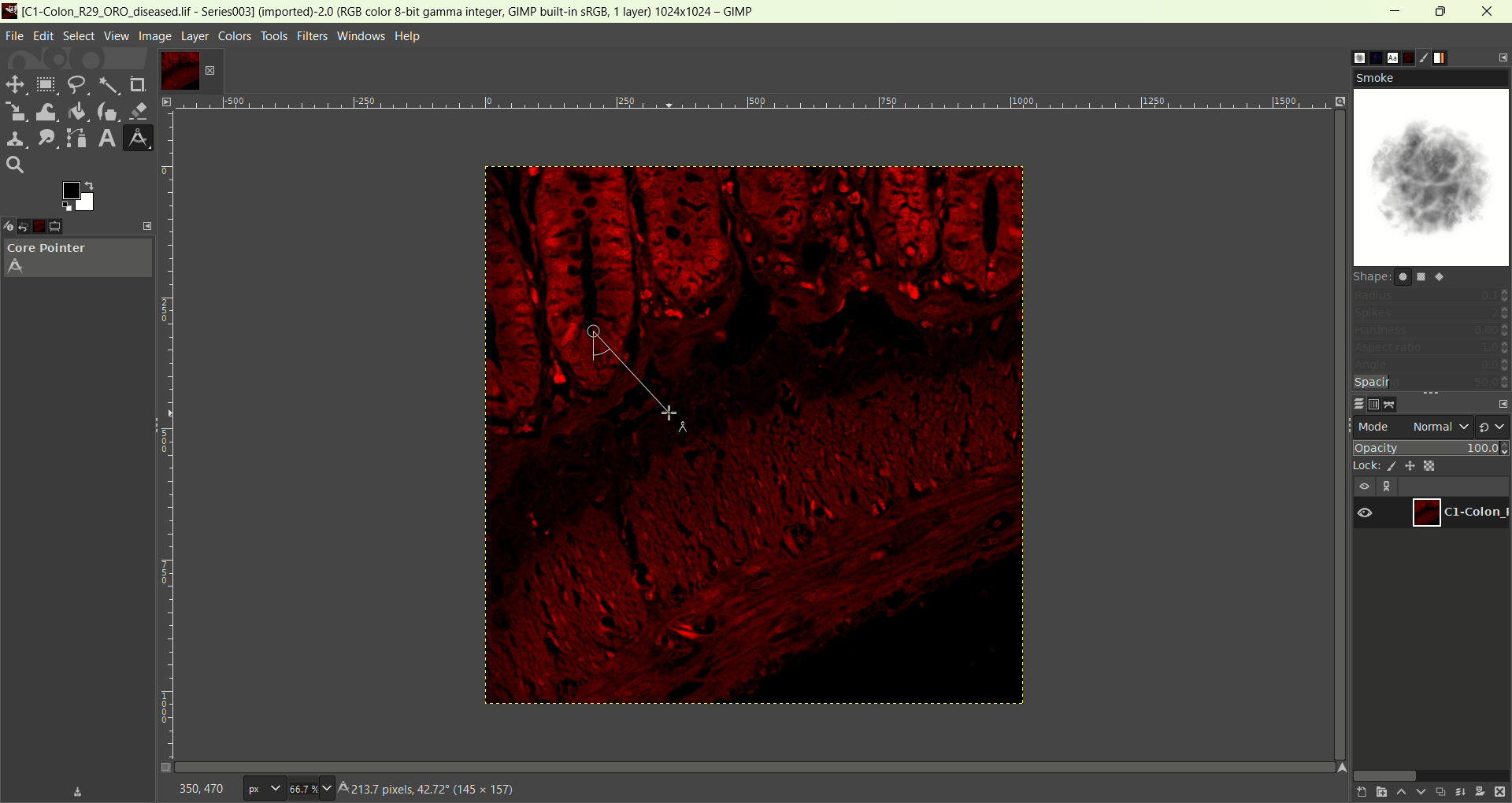 The image size is (1512, 803). What do you see at coordinates (10, 10) in the screenshot?
I see `logo` at bounding box center [10, 10].